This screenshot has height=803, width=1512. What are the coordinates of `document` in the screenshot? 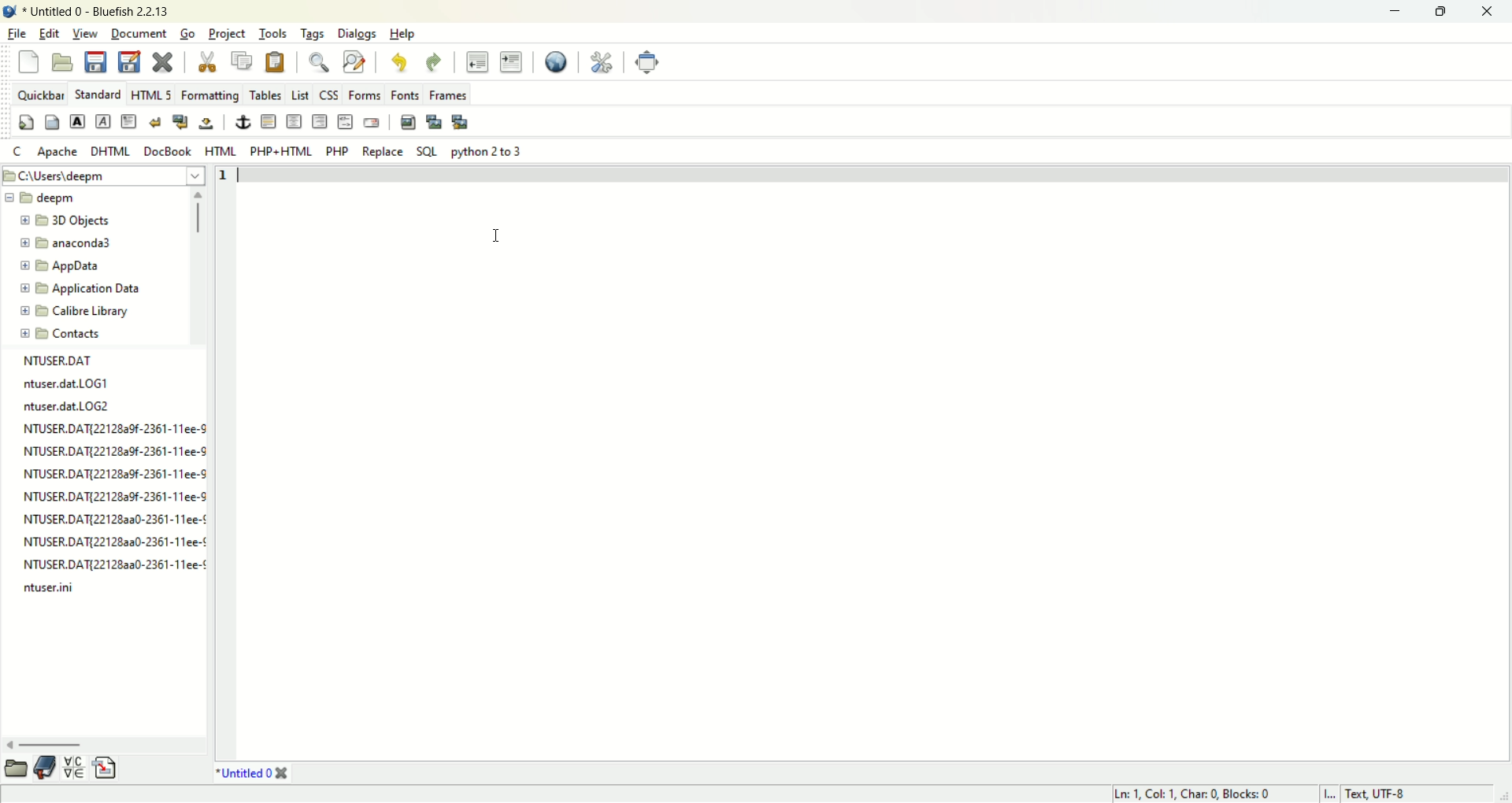 It's located at (139, 33).